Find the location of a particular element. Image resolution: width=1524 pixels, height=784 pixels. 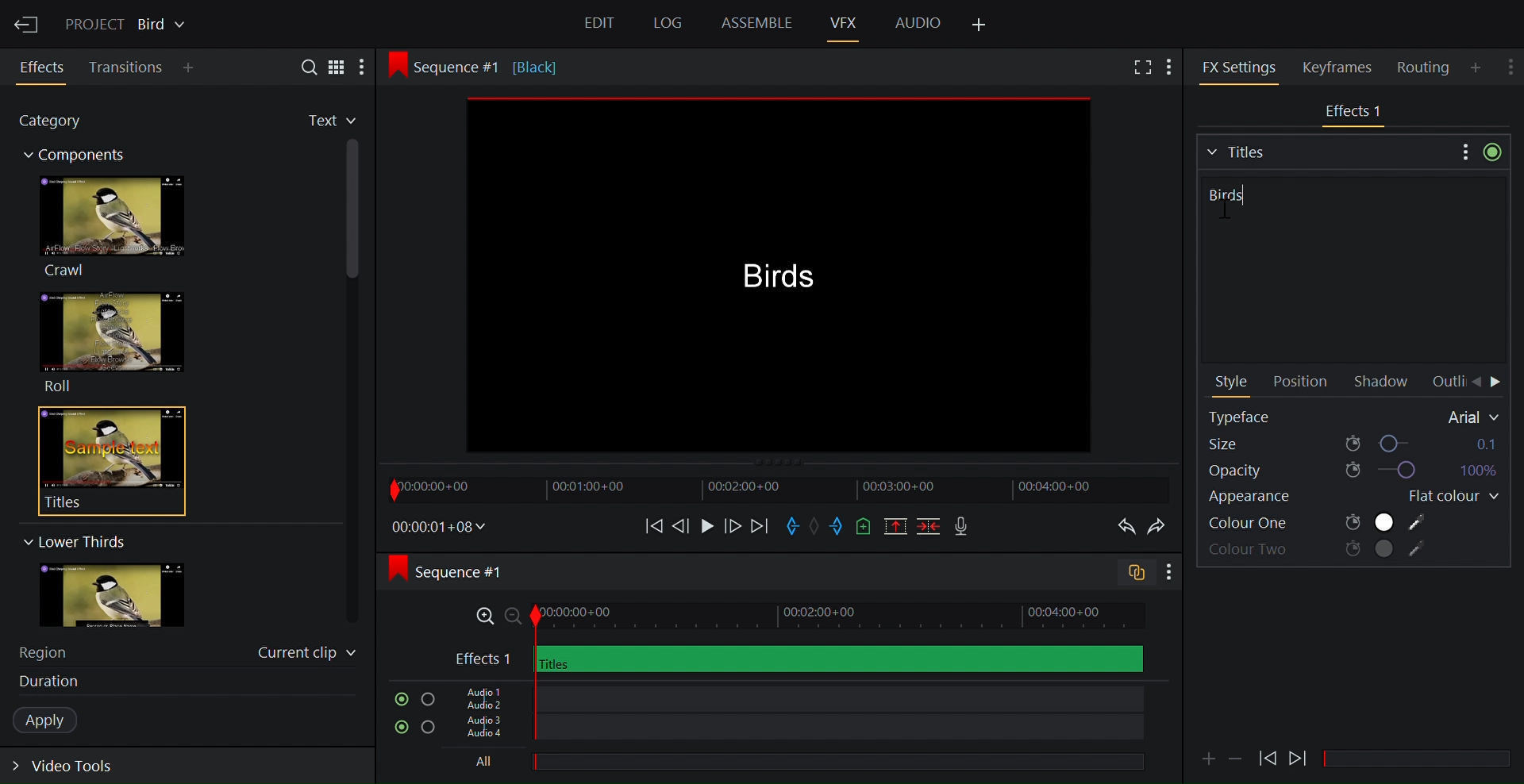

Full screen is located at coordinates (1140, 68).